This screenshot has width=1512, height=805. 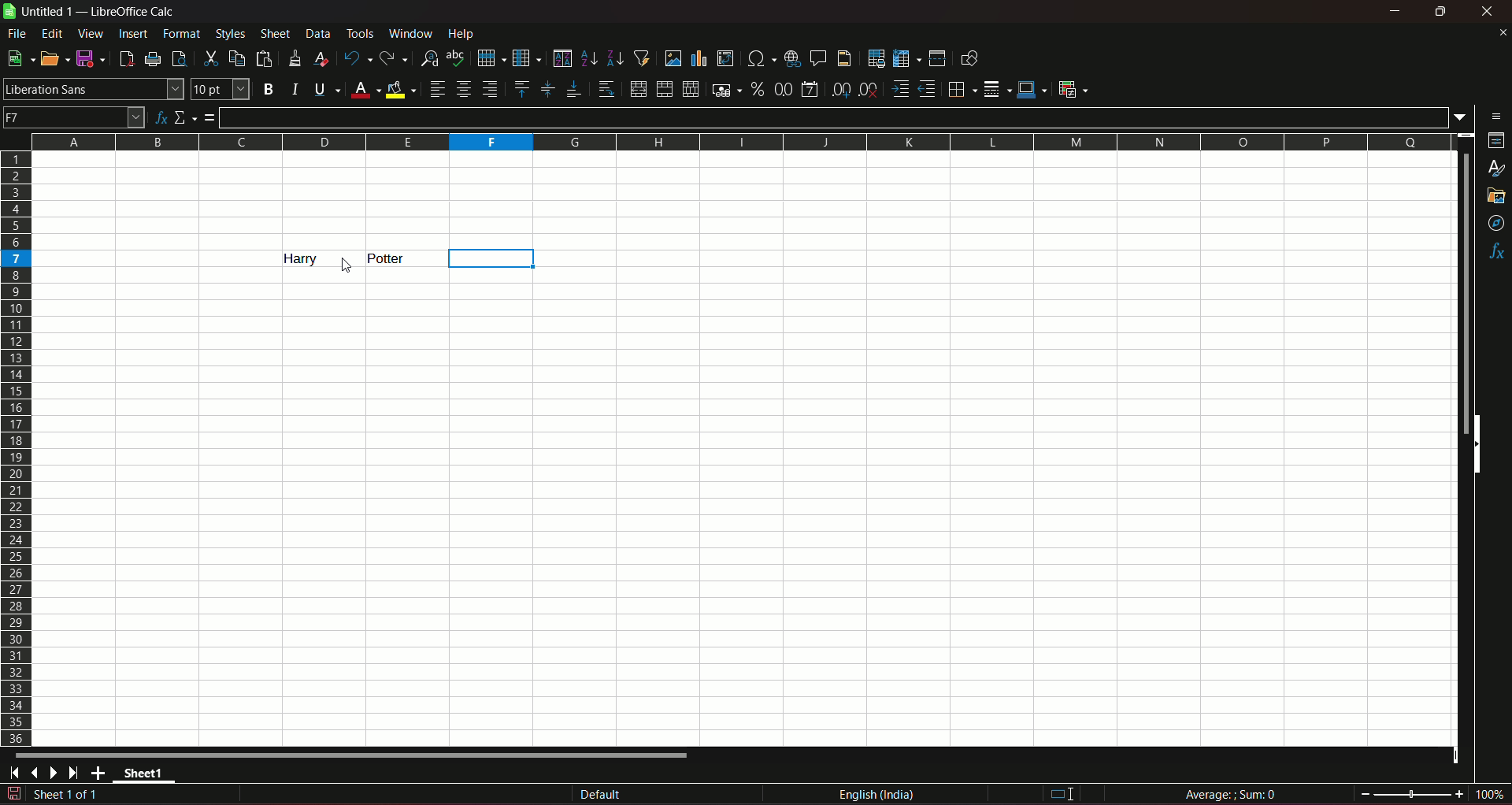 What do you see at coordinates (817, 57) in the screenshot?
I see `insert comment` at bounding box center [817, 57].